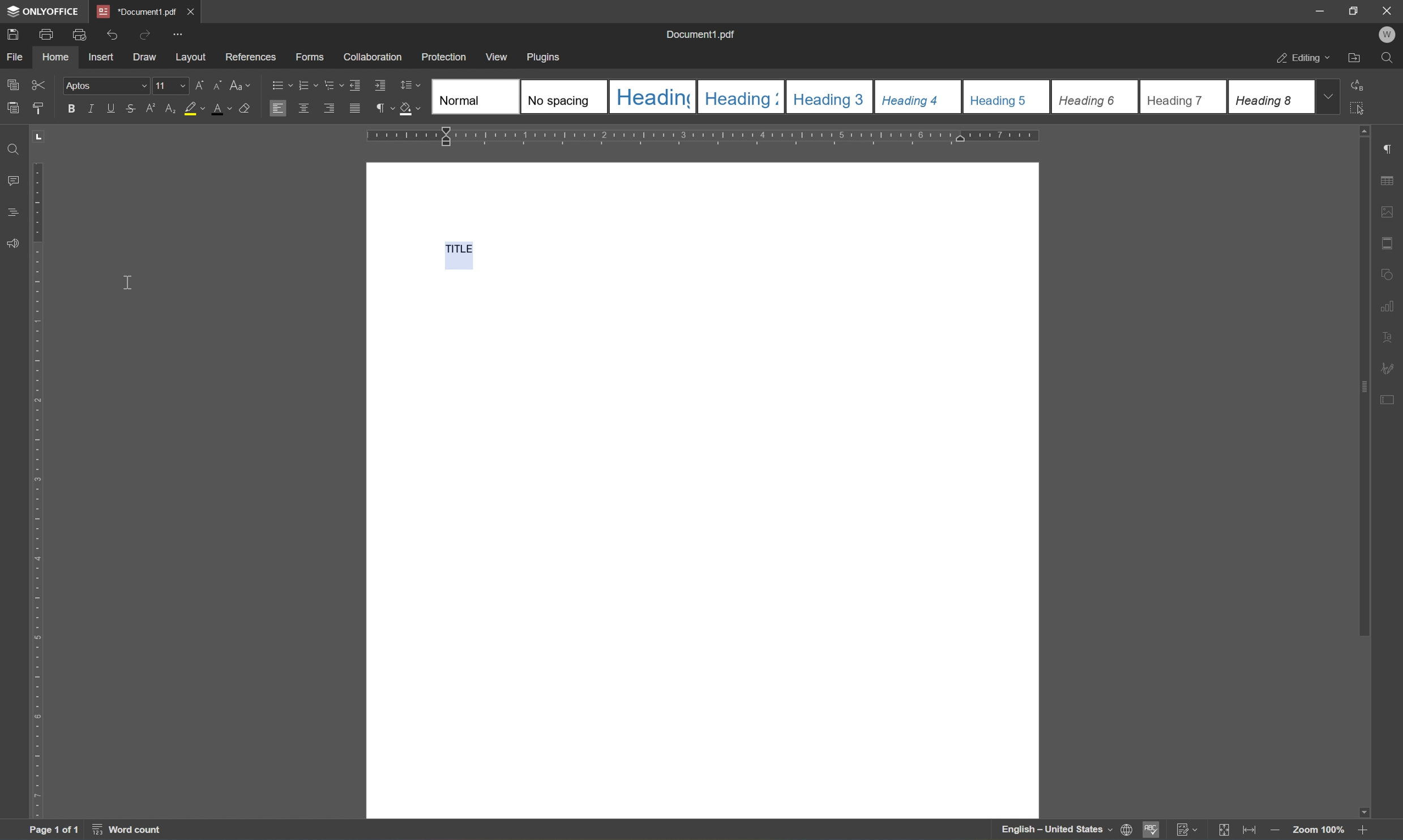 The width and height of the screenshot is (1403, 840). What do you see at coordinates (305, 108) in the screenshot?
I see `Align center` at bounding box center [305, 108].